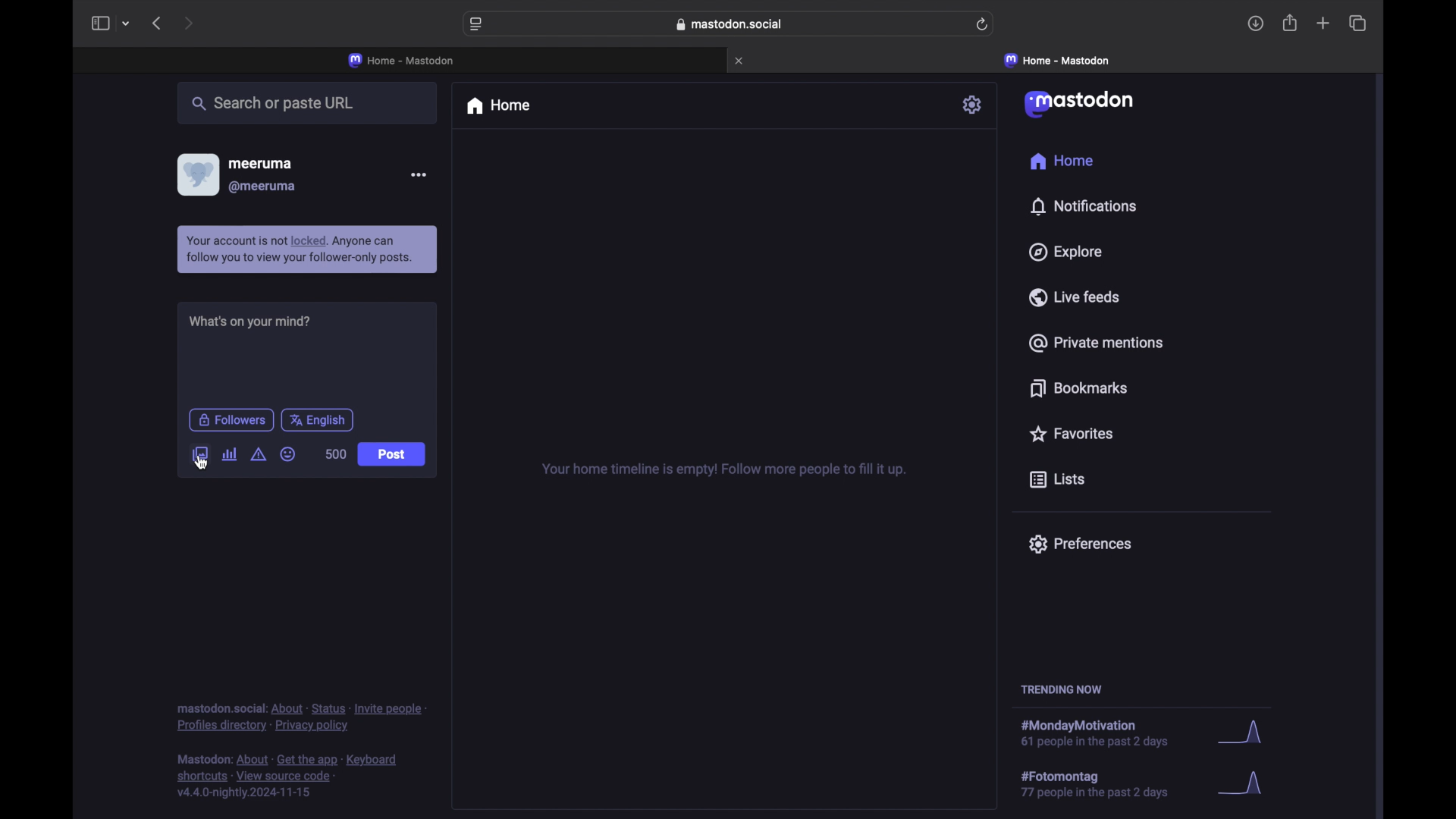 This screenshot has width=1456, height=819. I want to click on @meeruma, so click(264, 187).